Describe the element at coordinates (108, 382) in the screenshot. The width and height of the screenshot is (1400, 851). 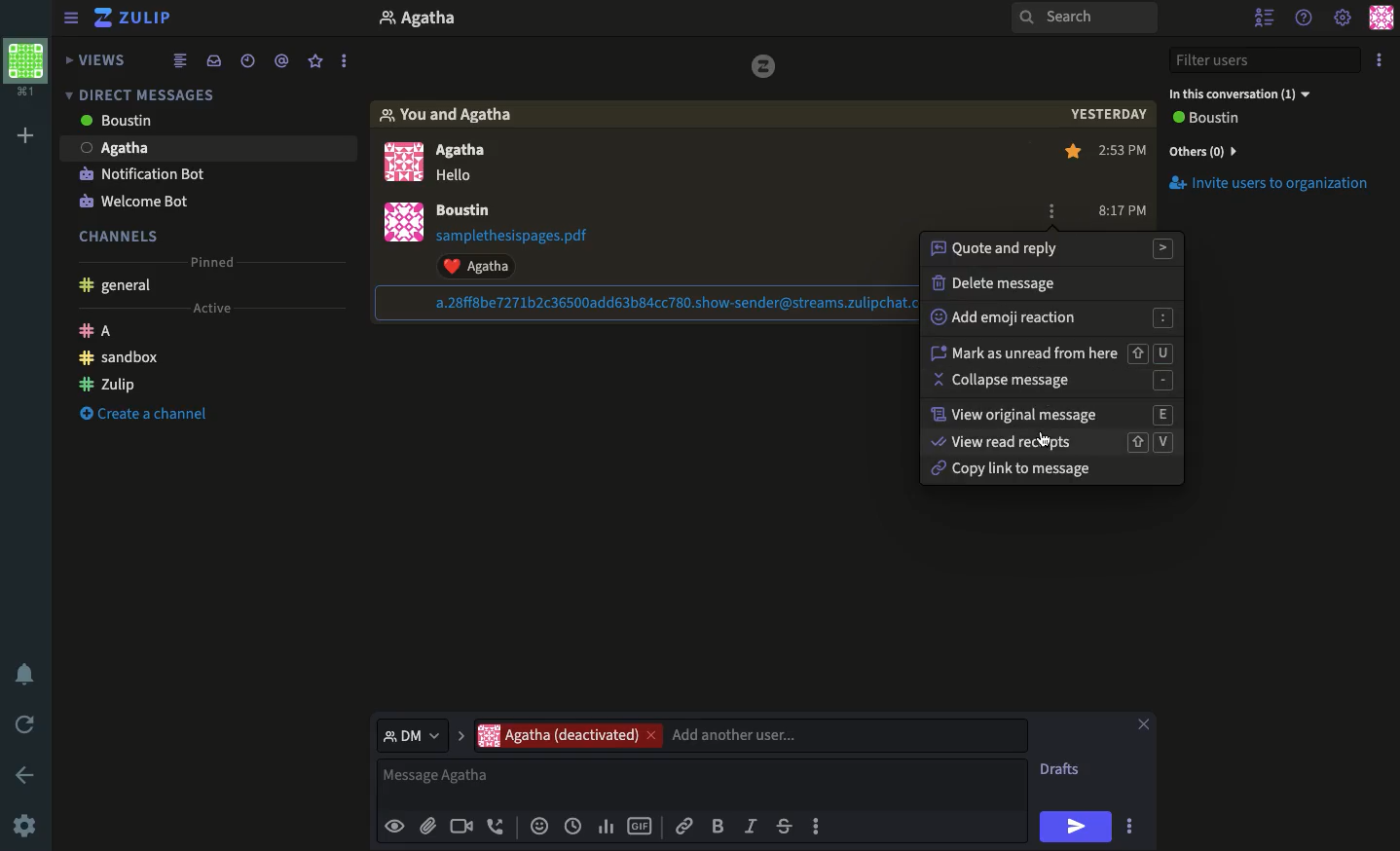
I see `Zulip` at that location.